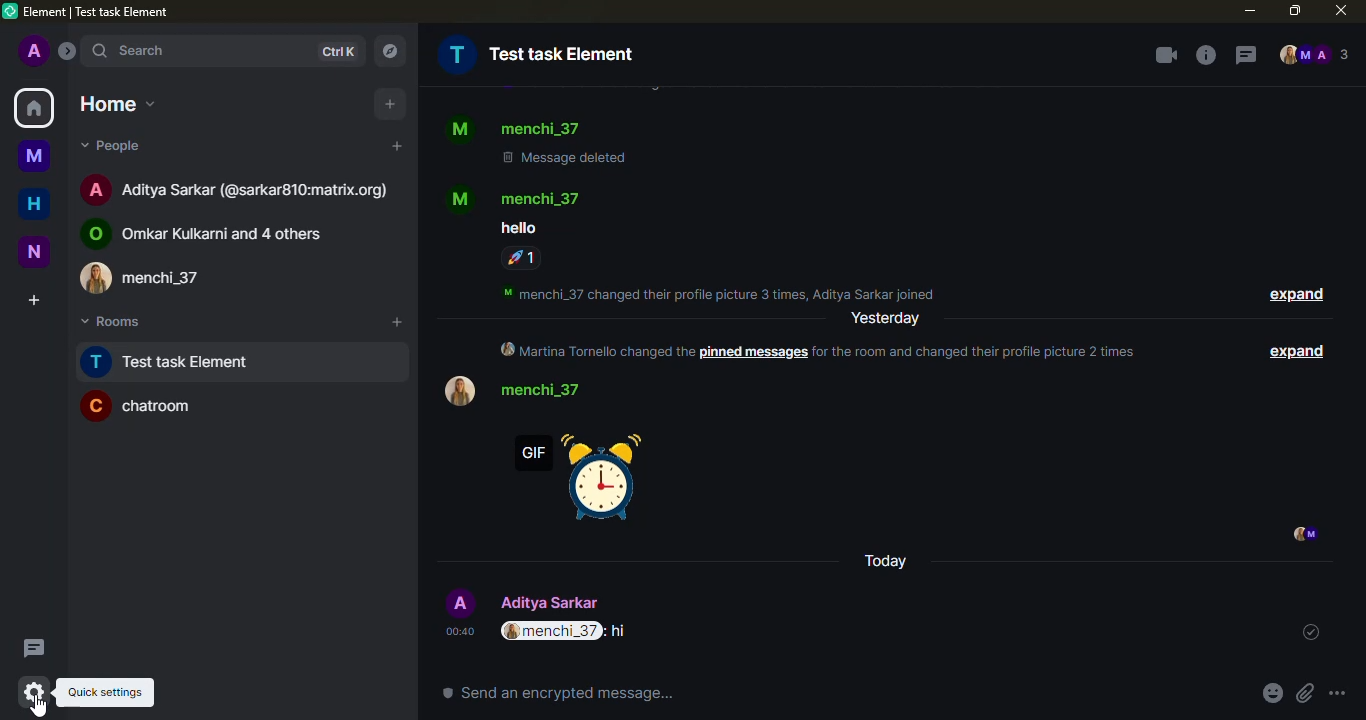 Image resolution: width=1366 pixels, height=720 pixels. I want to click on today, so click(887, 562).